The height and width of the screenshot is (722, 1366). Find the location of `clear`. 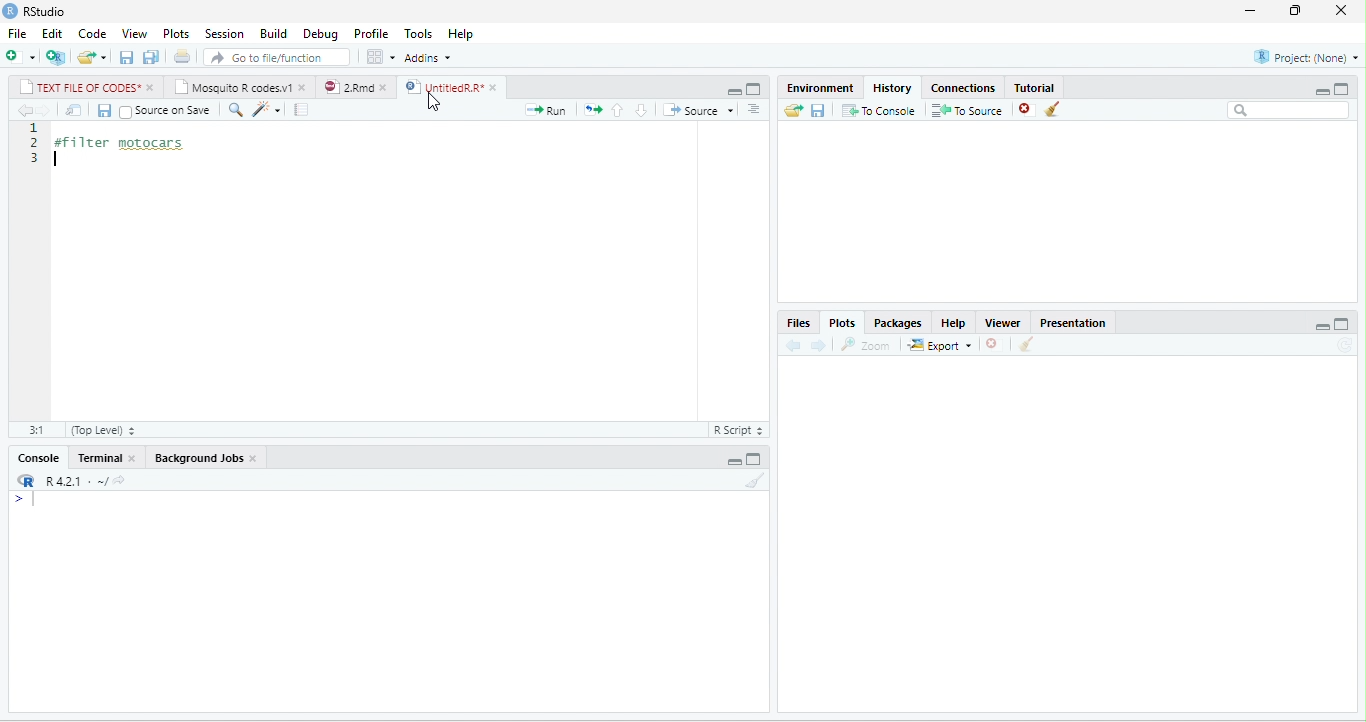

clear is located at coordinates (1026, 344).